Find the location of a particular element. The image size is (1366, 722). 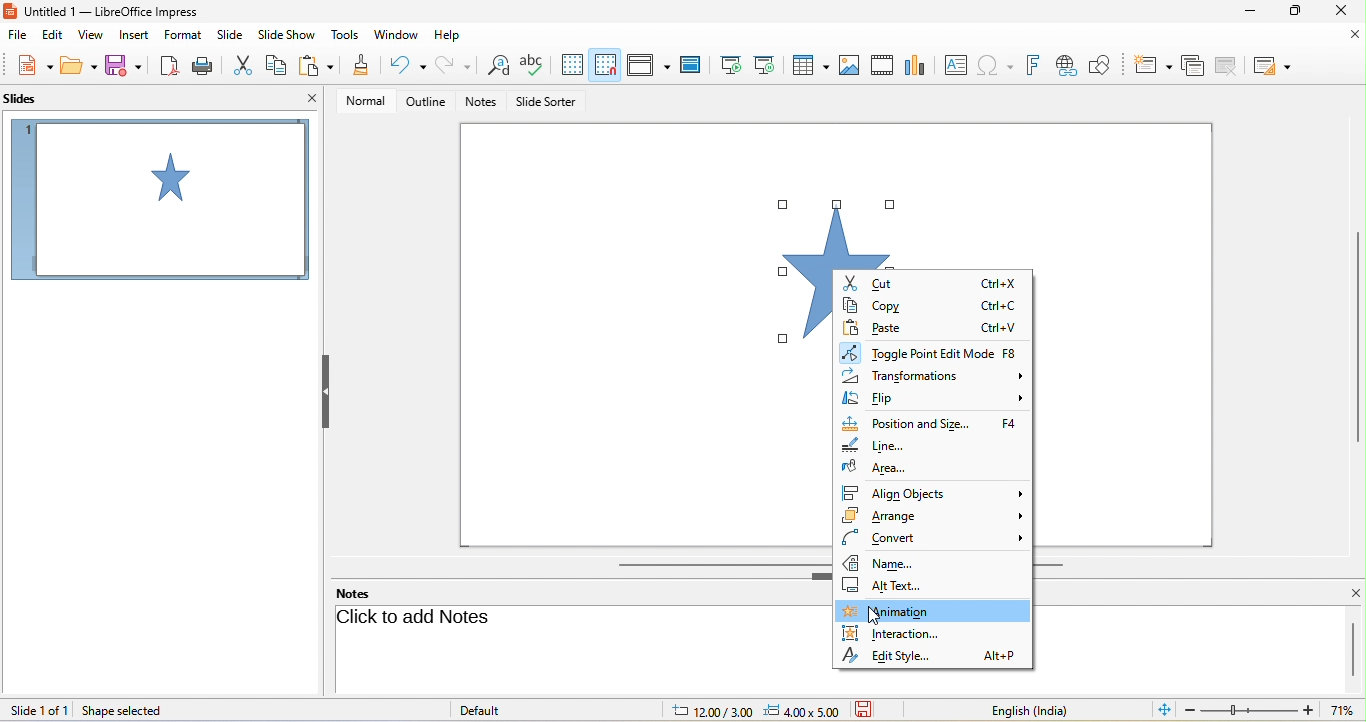

slide sorter is located at coordinates (554, 103).